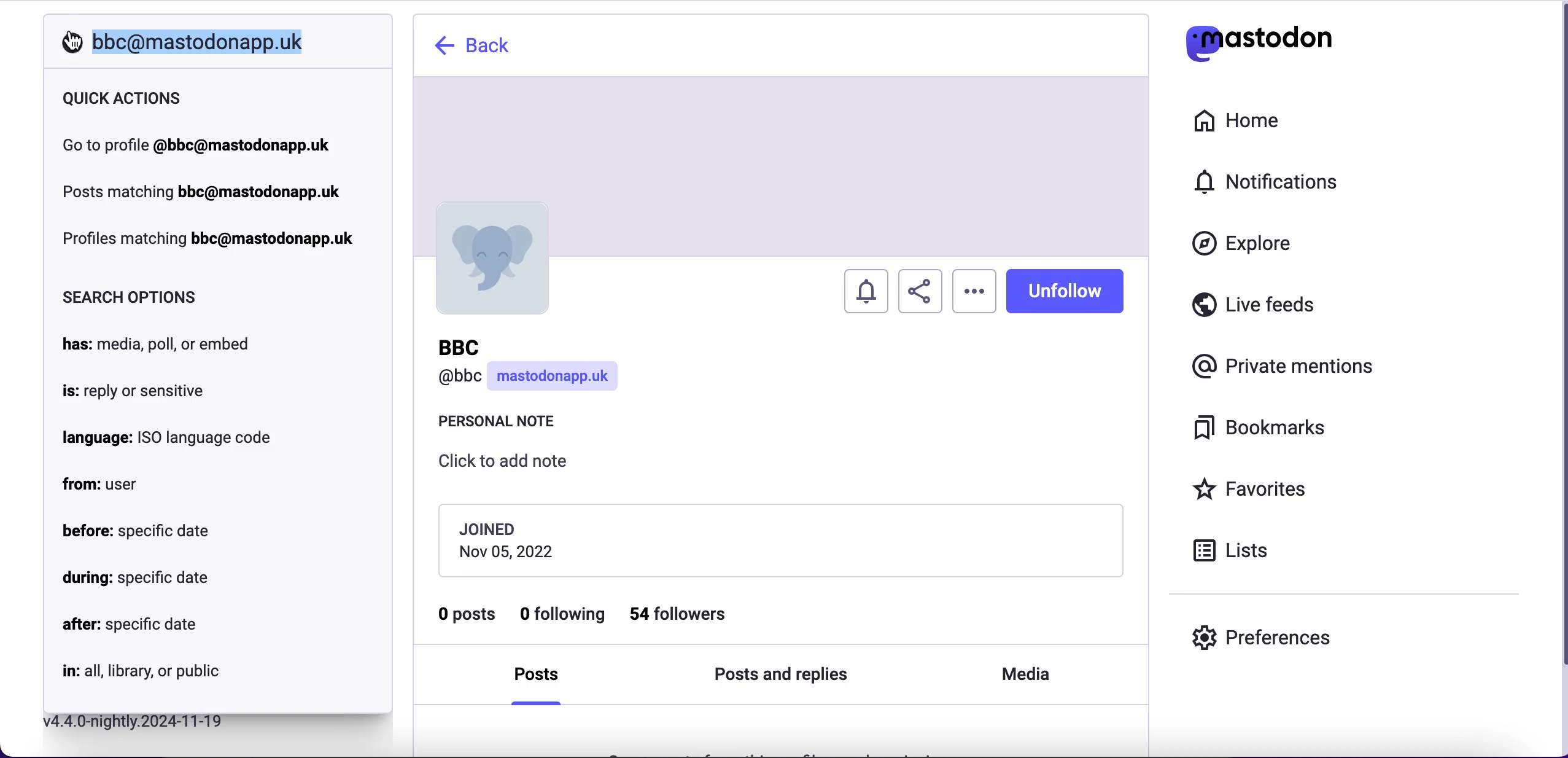 The image size is (1568, 758). What do you see at coordinates (974, 291) in the screenshot?
I see `options` at bounding box center [974, 291].